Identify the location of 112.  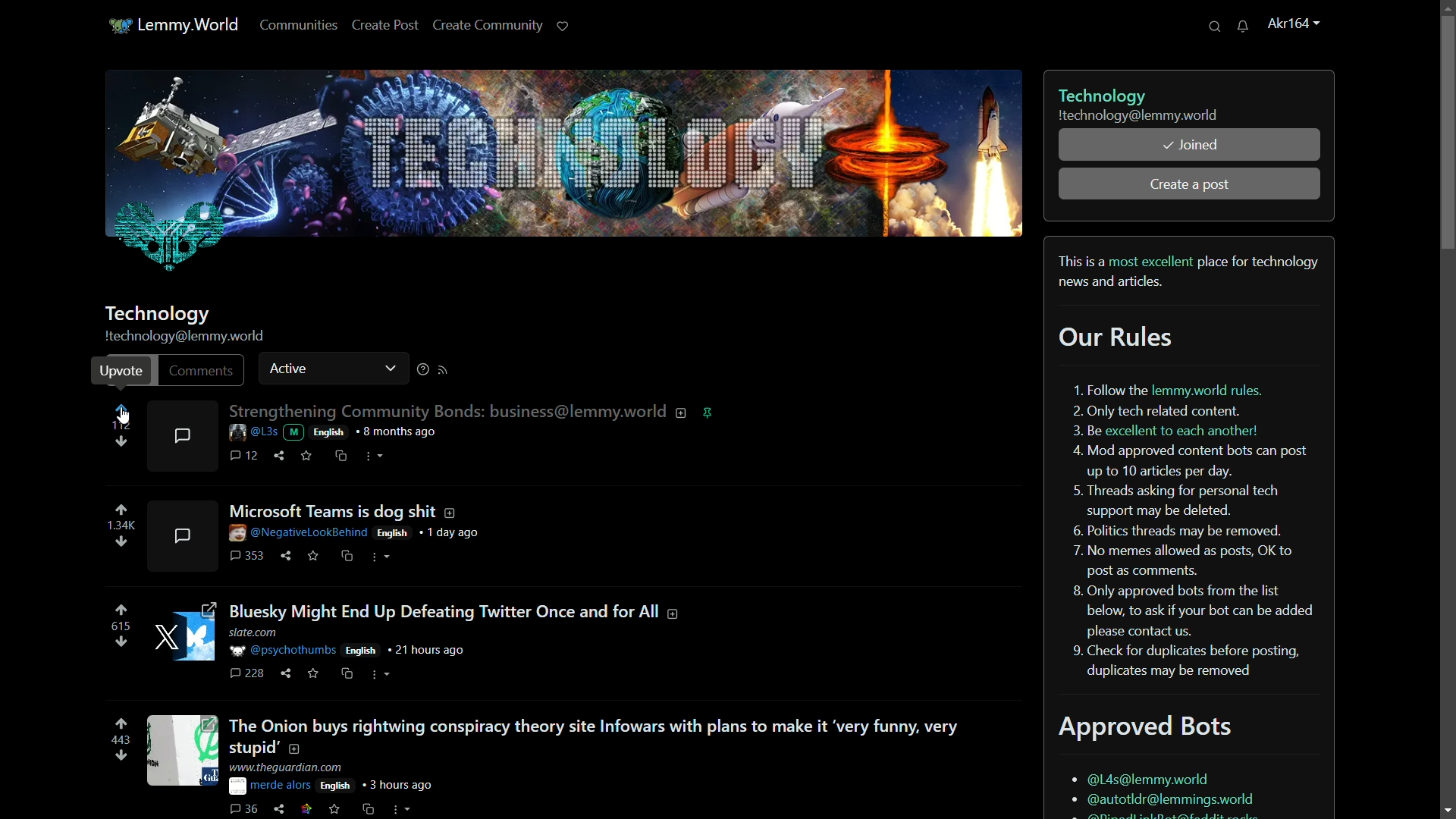
(122, 426).